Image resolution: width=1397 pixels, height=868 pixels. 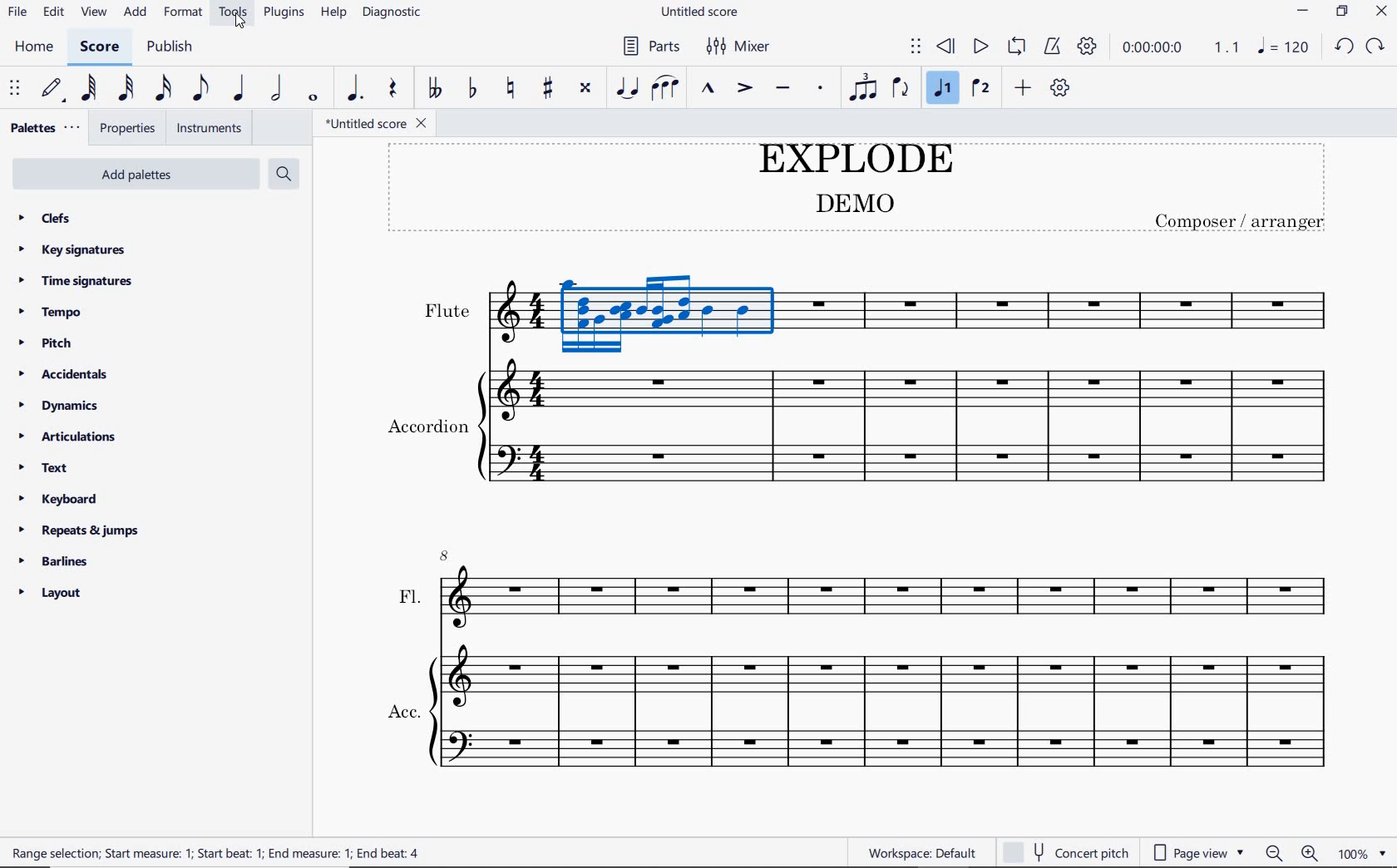 I want to click on NOTE, so click(x=1283, y=47).